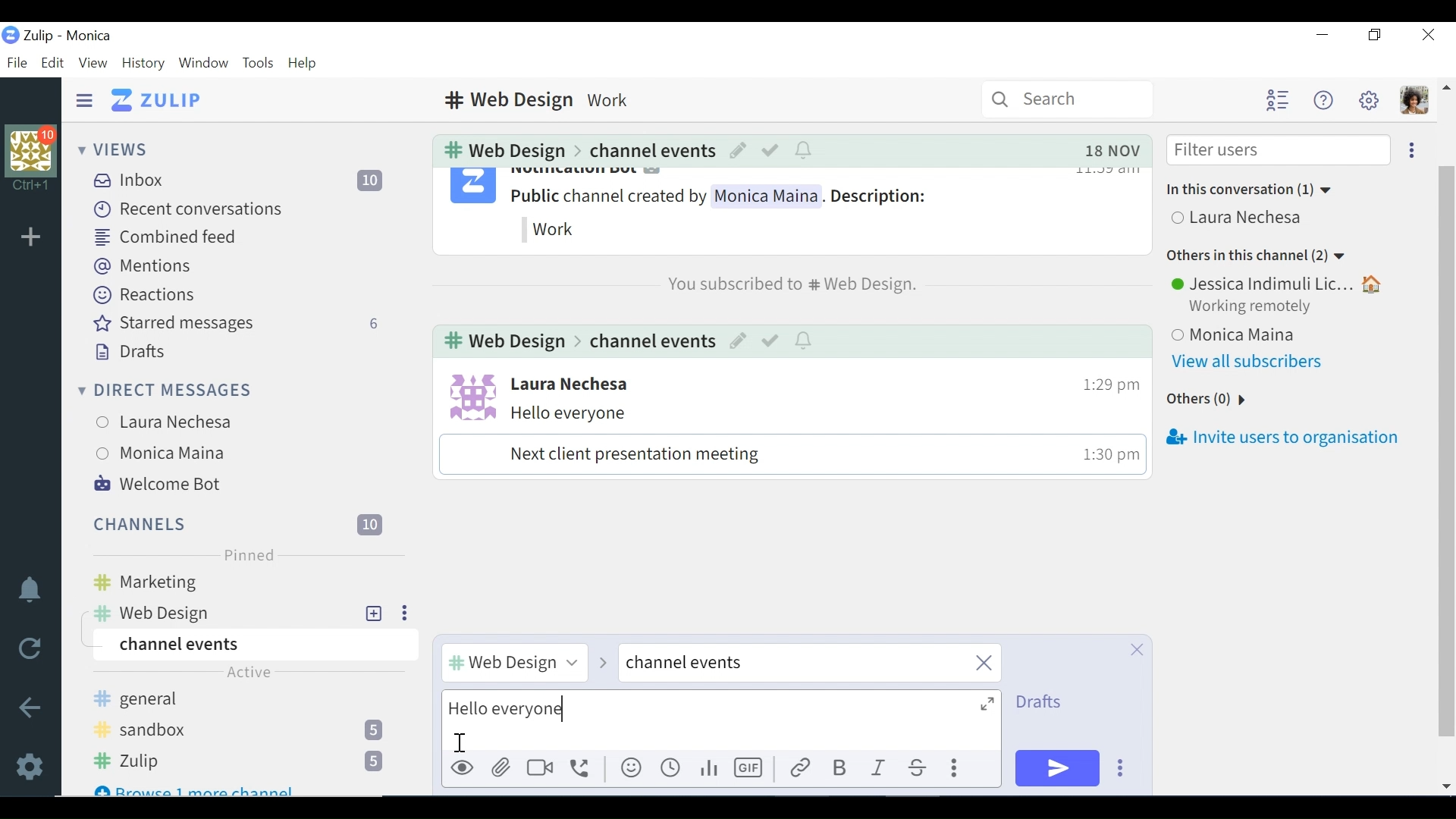 The image size is (1456, 819). What do you see at coordinates (84, 99) in the screenshot?
I see `Hide Sidebar` at bounding box center [84, 99].